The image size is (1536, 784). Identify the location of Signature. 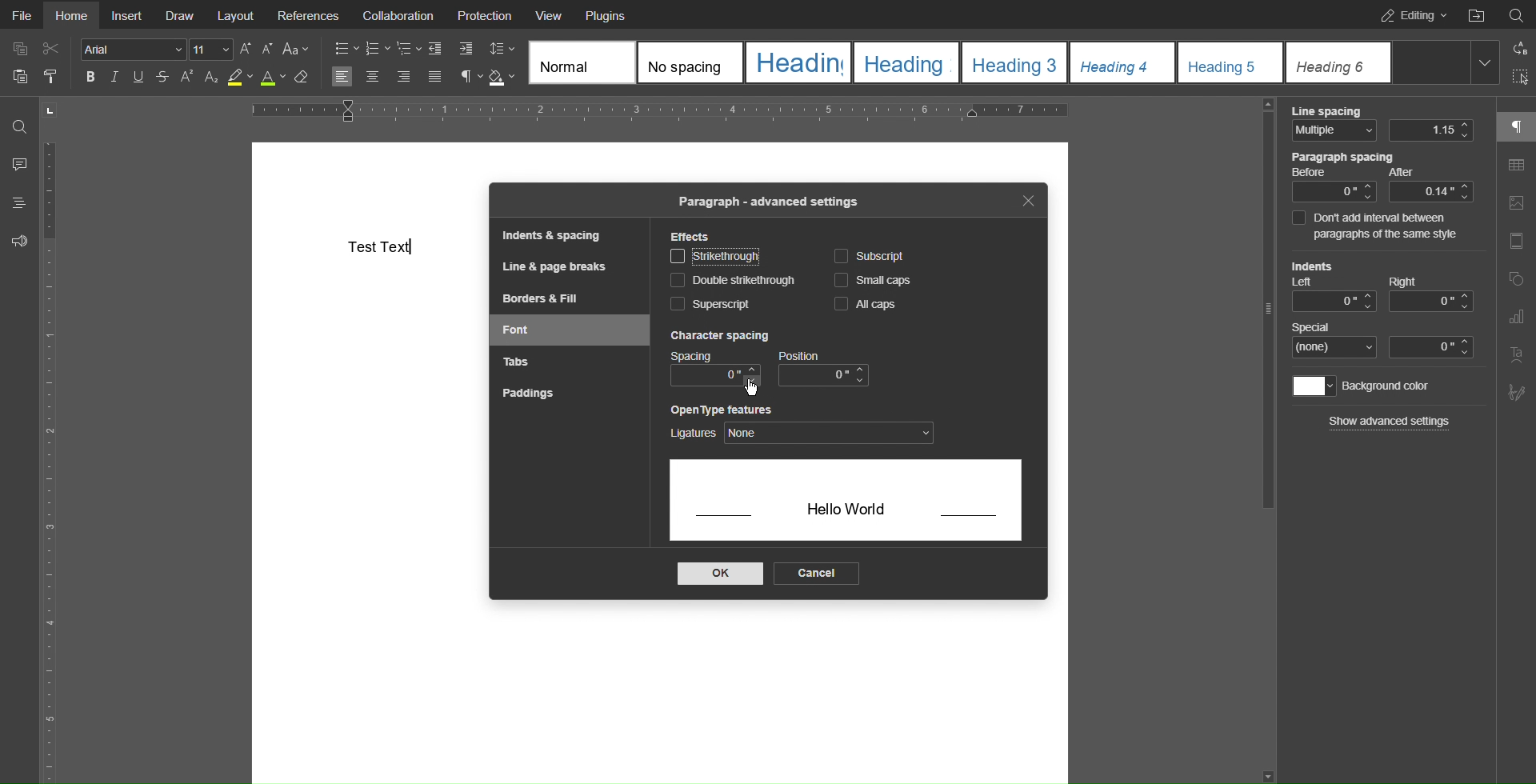
(1514, 393).